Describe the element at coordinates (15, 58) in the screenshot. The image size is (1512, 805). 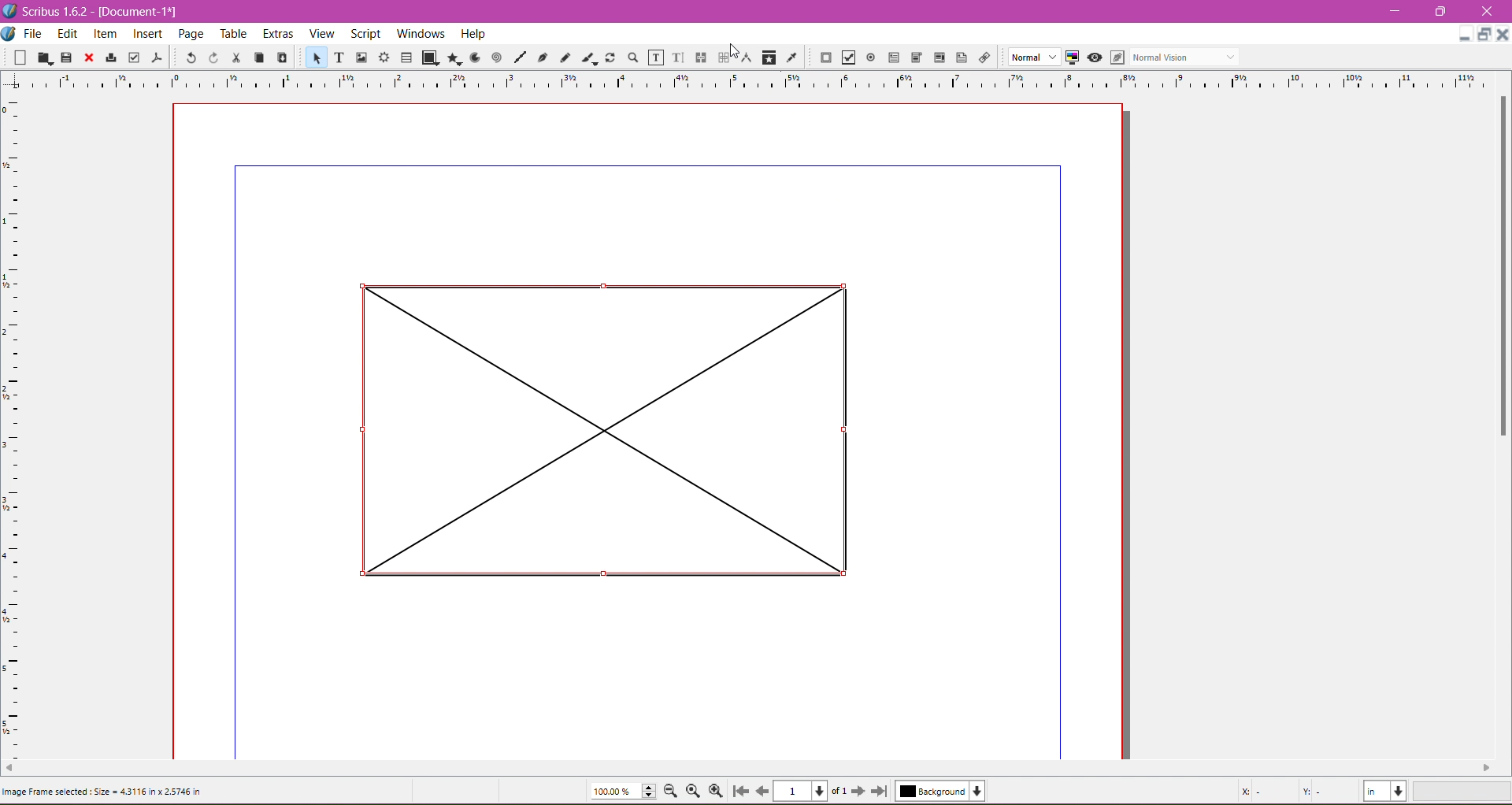
I see `New` at that location.